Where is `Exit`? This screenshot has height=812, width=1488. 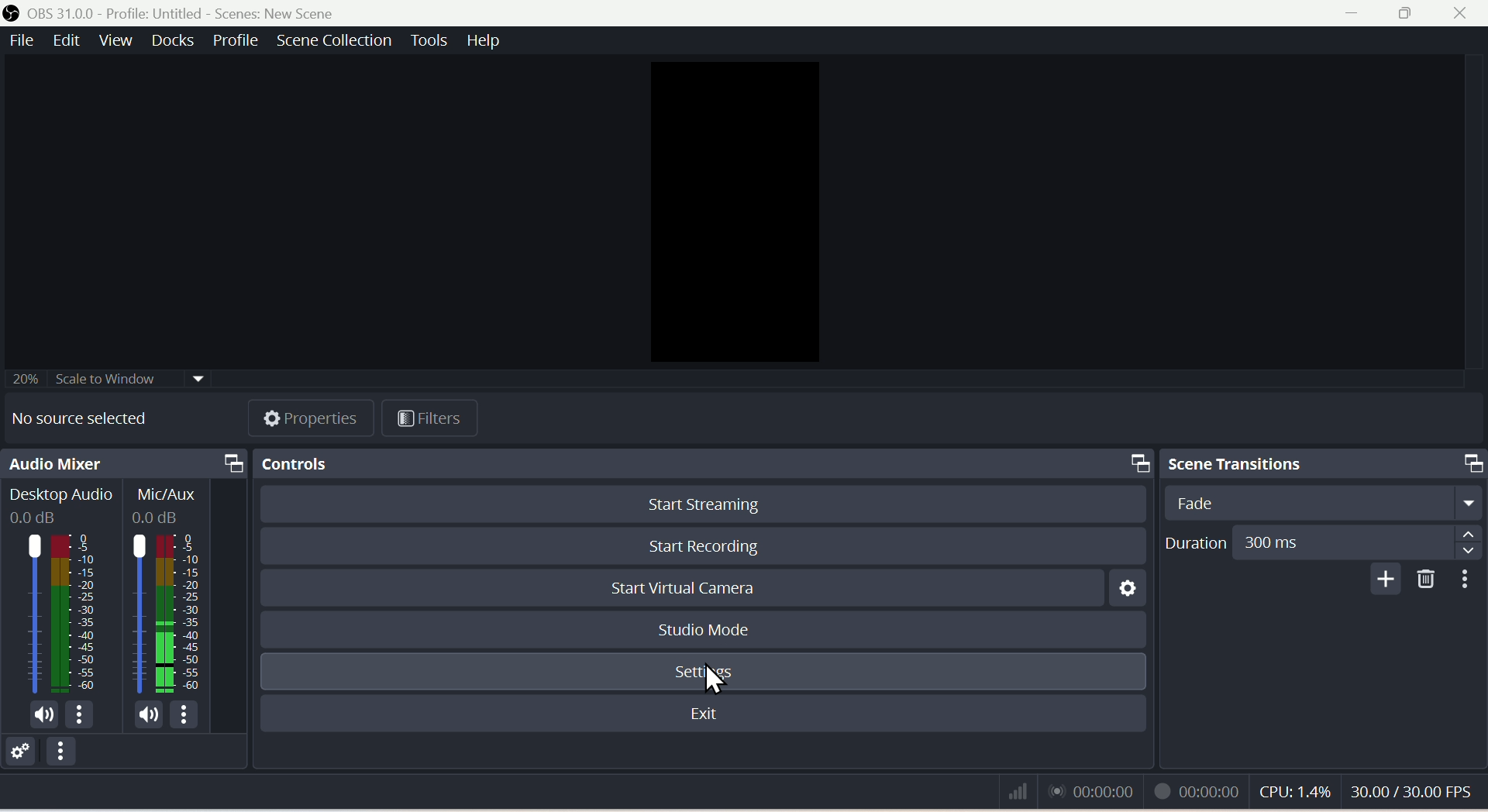 Exit is located at coordinates (706, 714).